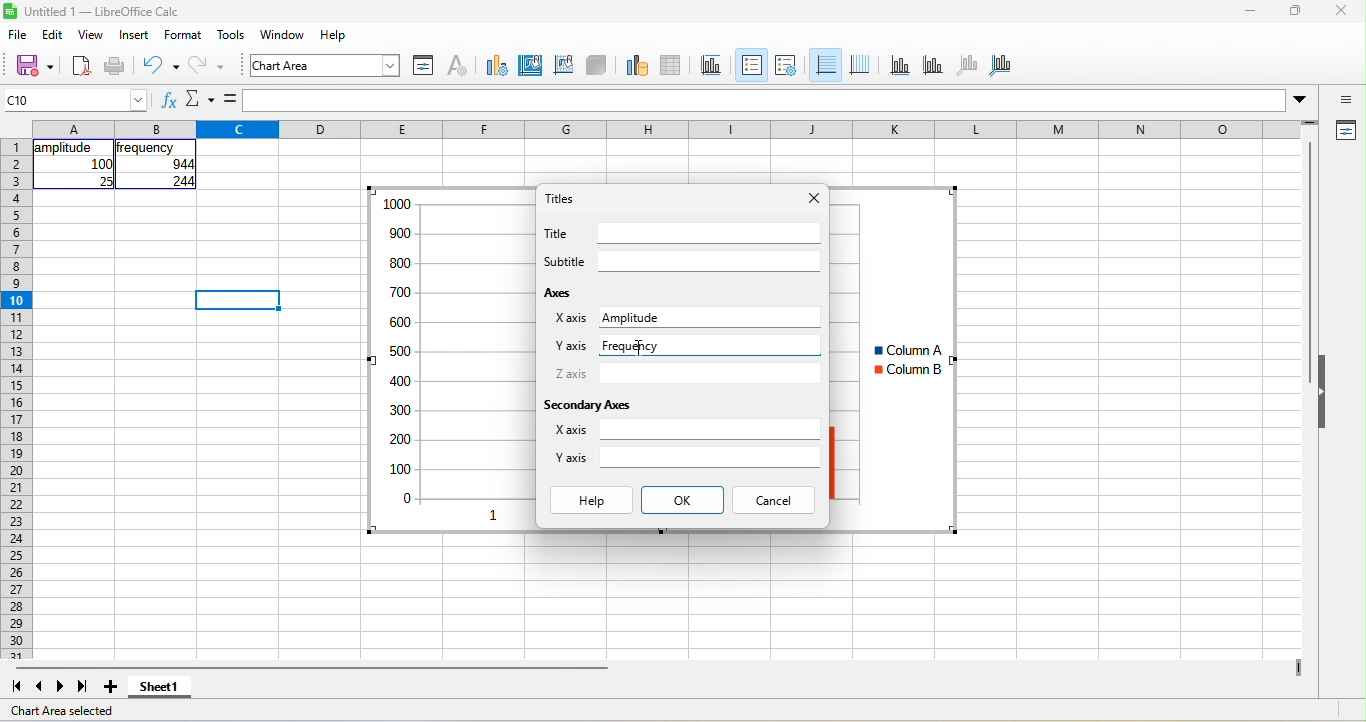  I want to click on window, so click(283, 34).